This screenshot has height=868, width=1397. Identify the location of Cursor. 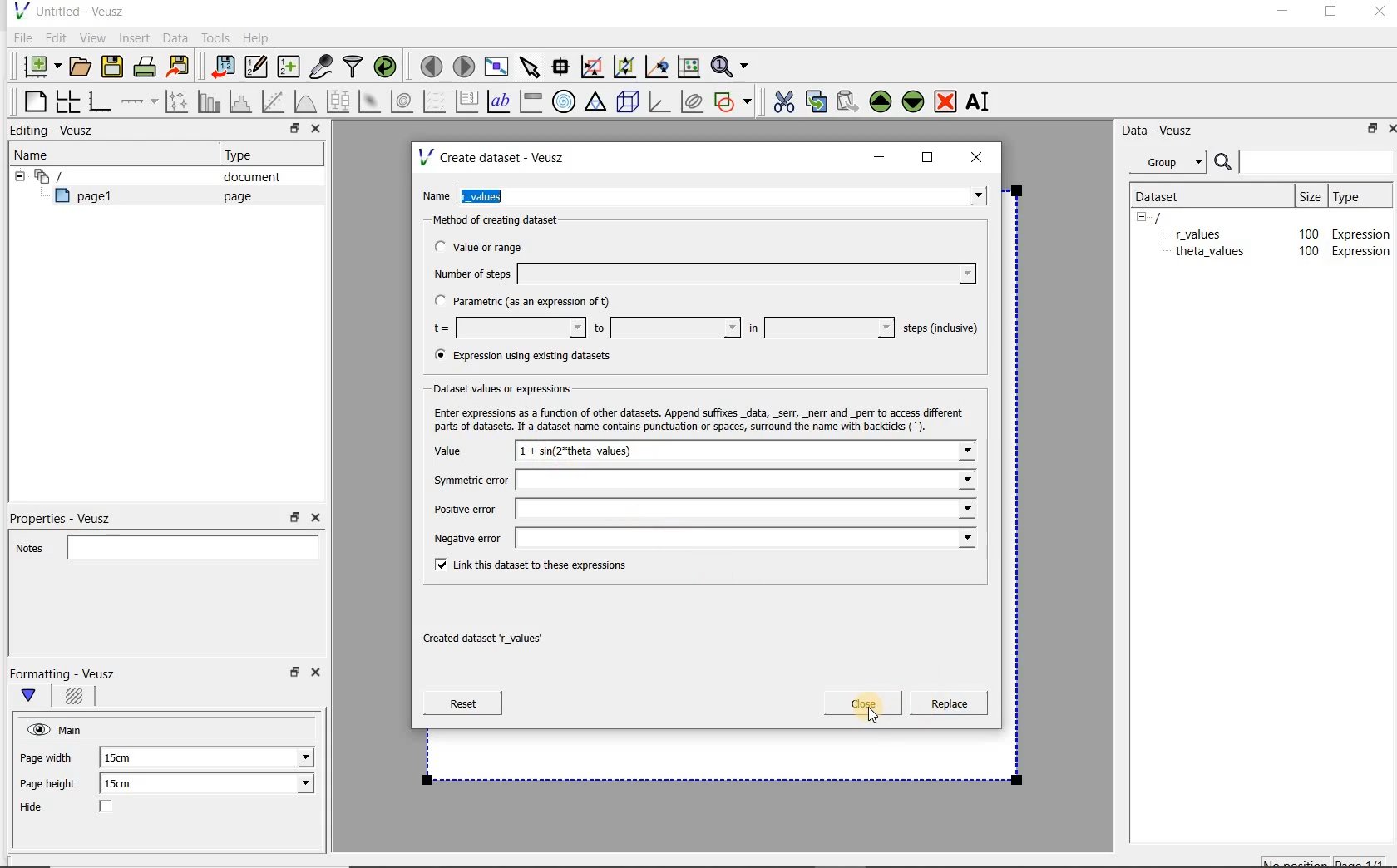
(856, 715).